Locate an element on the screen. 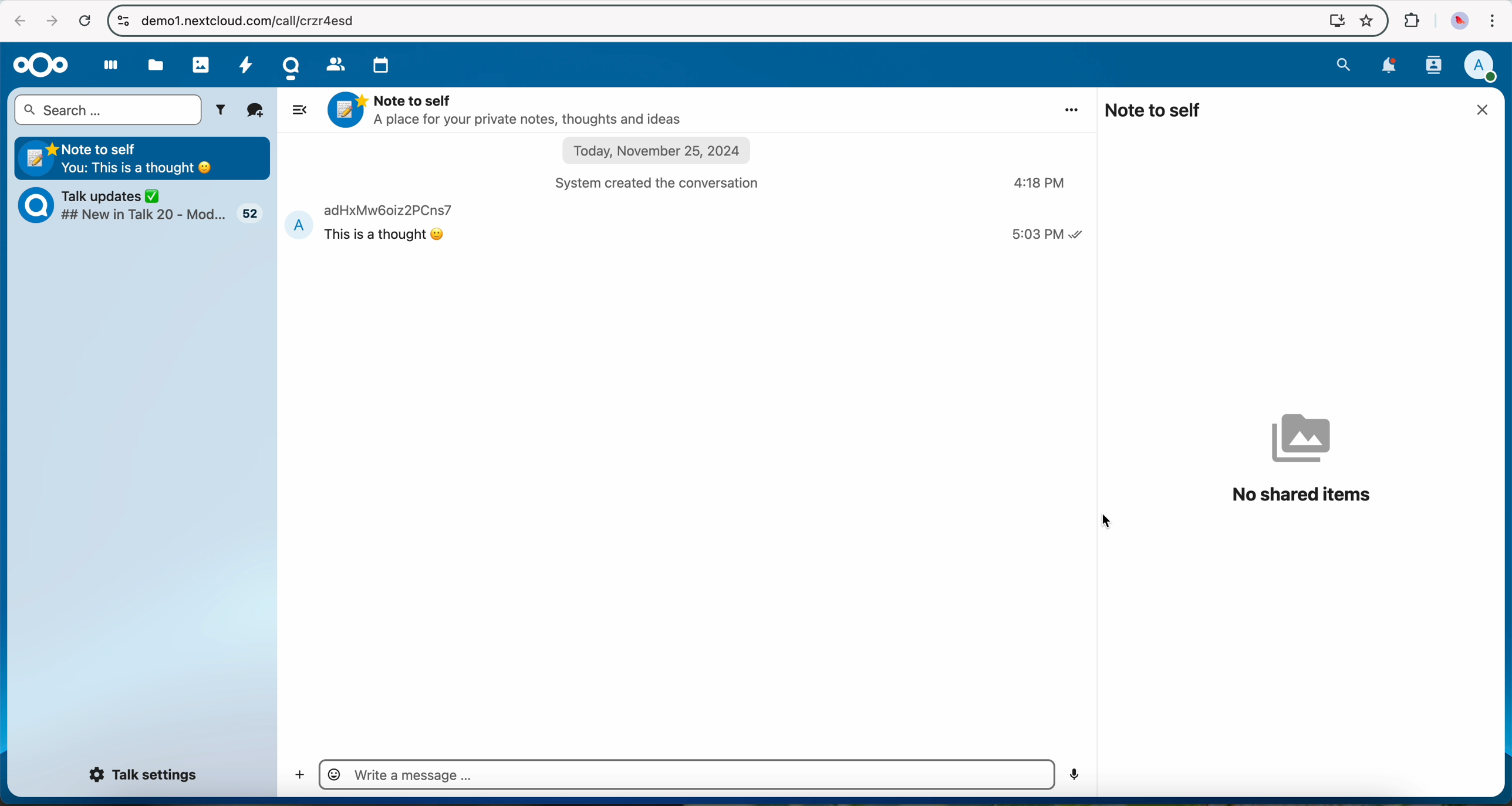 The image size is (1512, 806). new conversation is located at coordinates (256, 111).